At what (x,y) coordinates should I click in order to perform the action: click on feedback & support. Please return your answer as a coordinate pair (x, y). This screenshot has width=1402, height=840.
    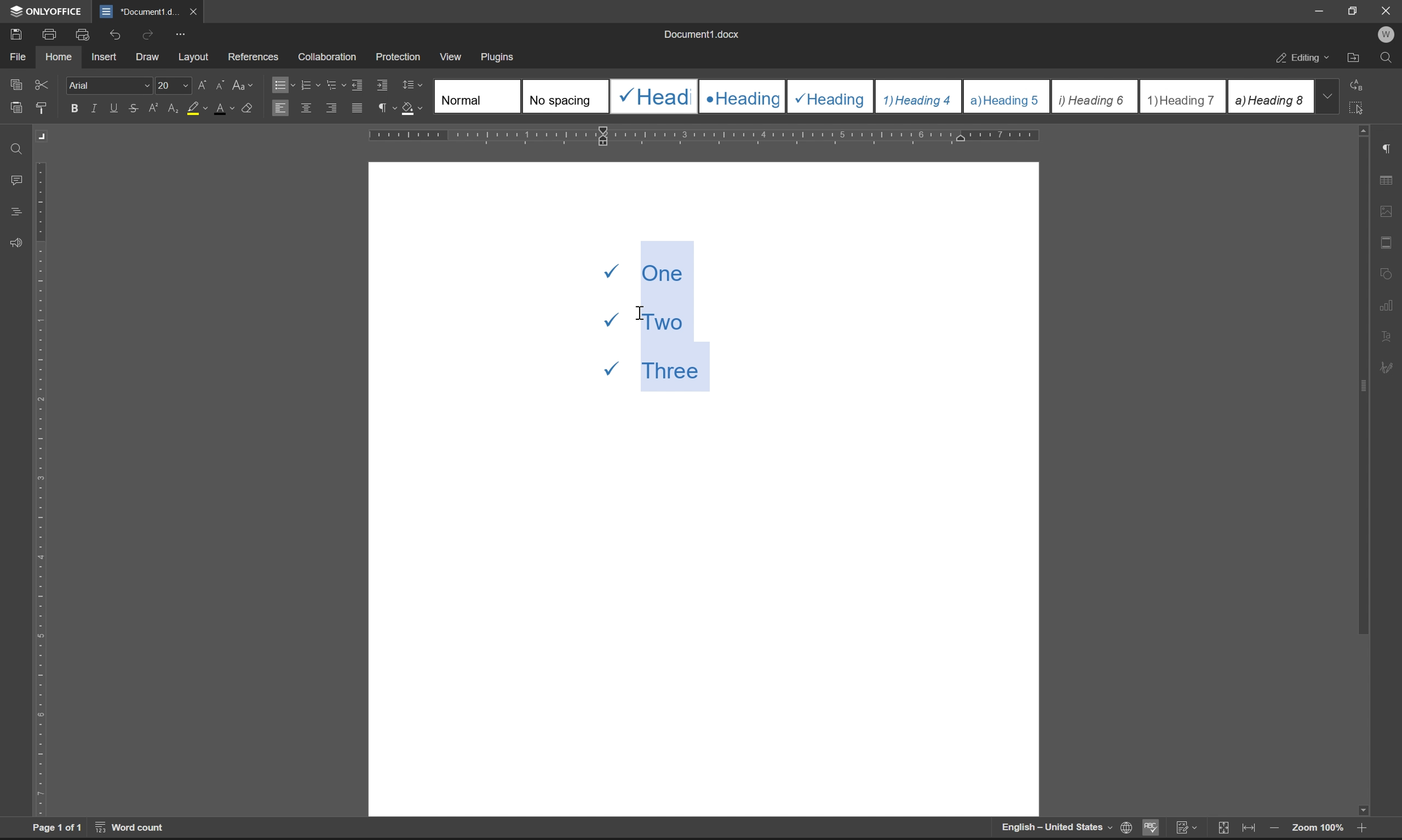
    Looking at the image, I should click on (17, 244).